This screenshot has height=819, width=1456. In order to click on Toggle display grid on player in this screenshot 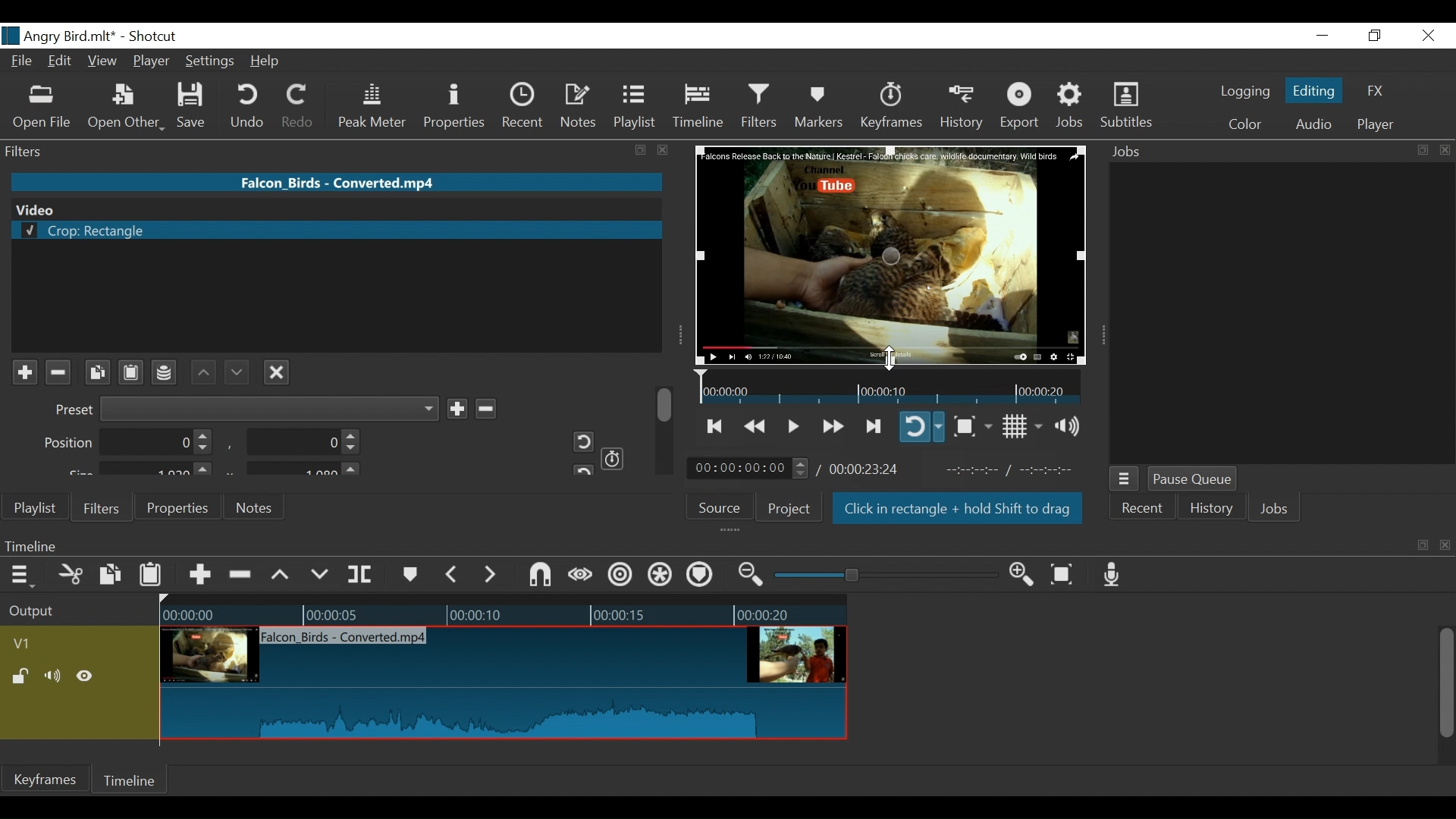, I will do `click(1025, 426)`.